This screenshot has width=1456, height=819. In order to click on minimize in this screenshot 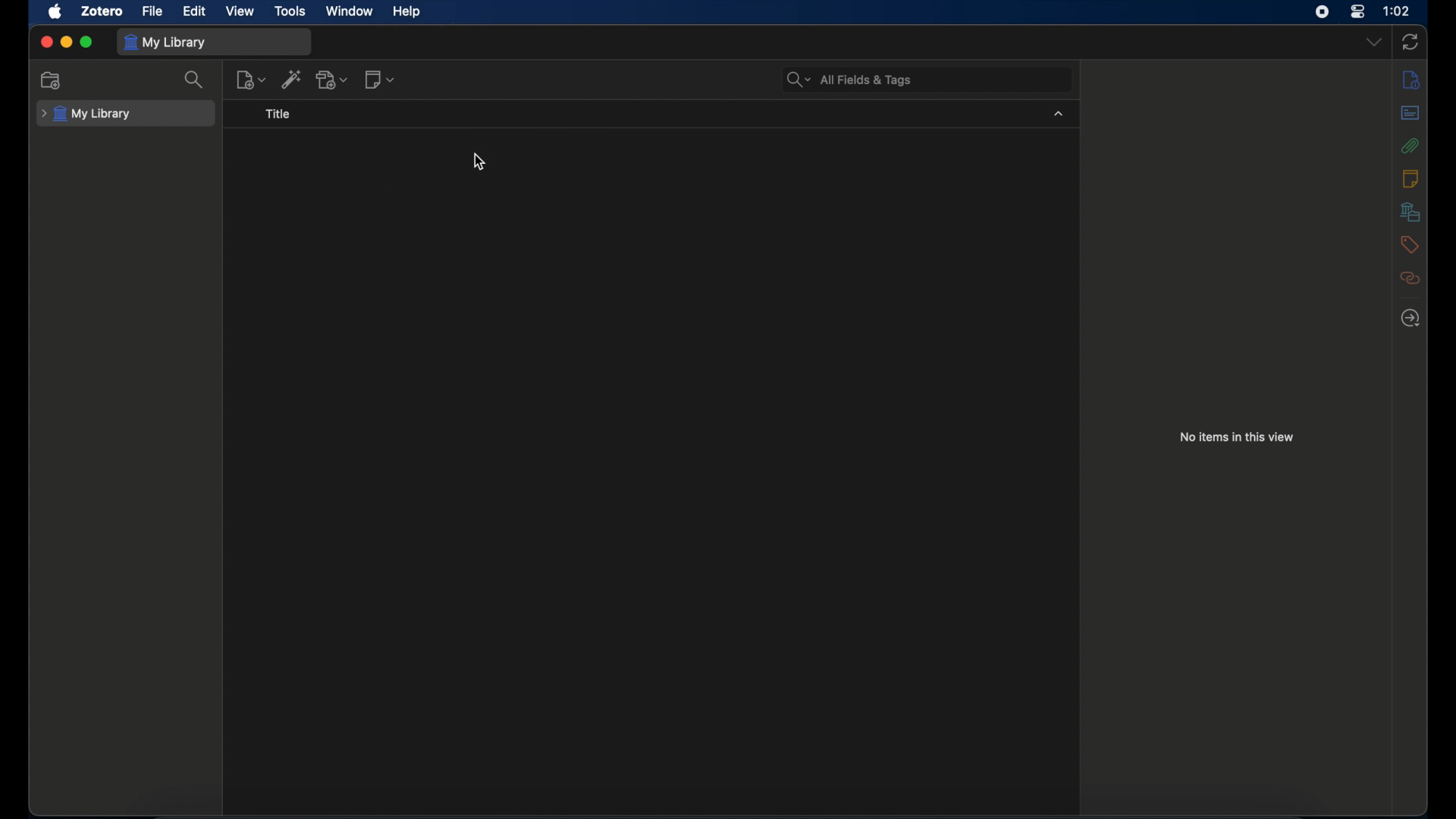, I will do `click(67, 42)`.